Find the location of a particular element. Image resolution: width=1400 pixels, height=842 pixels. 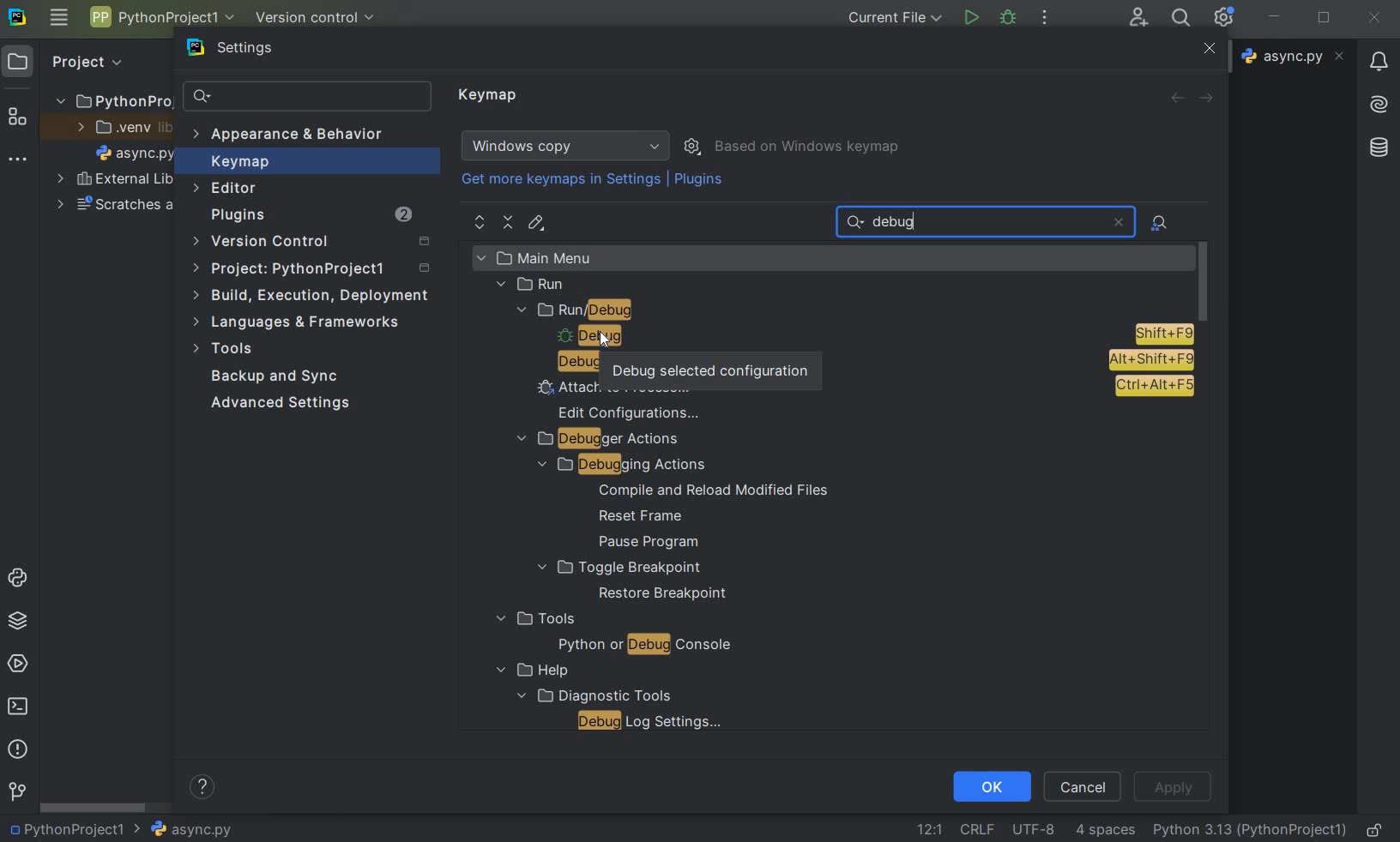

debugger actions is located at coordinates (599, 440).